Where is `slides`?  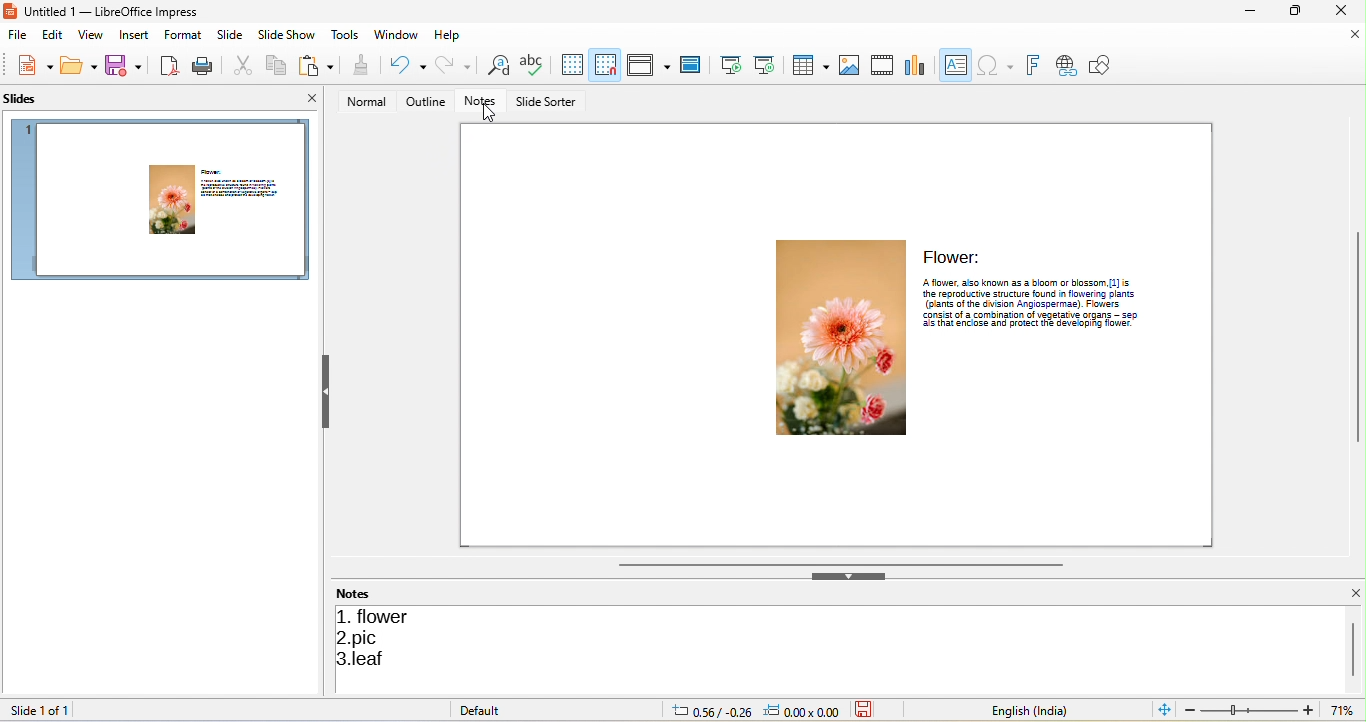 slides is located at coordinates (33, 99).